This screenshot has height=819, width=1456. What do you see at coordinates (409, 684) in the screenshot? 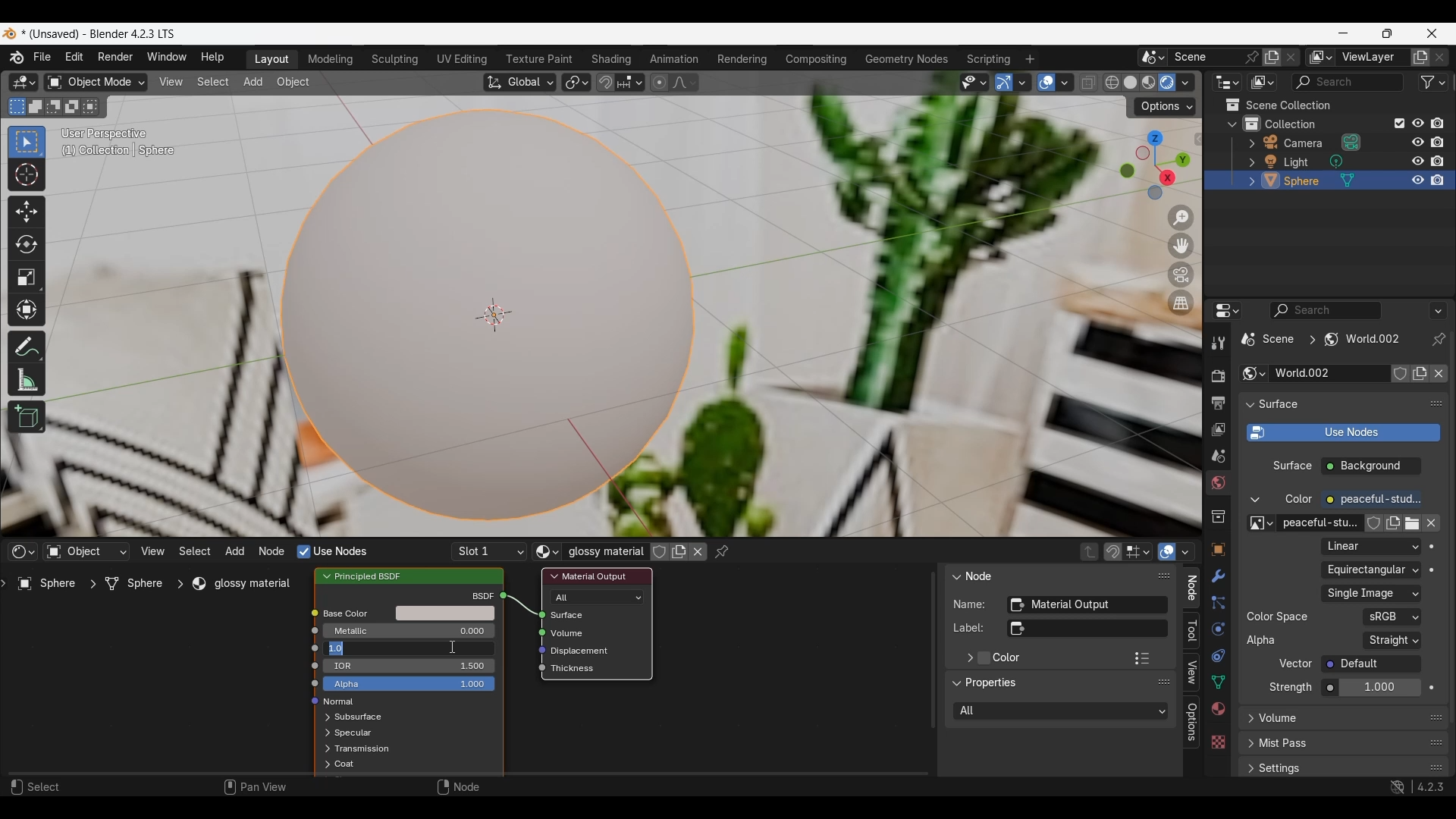
I see `Alpha` at bounding box center [409, 684].